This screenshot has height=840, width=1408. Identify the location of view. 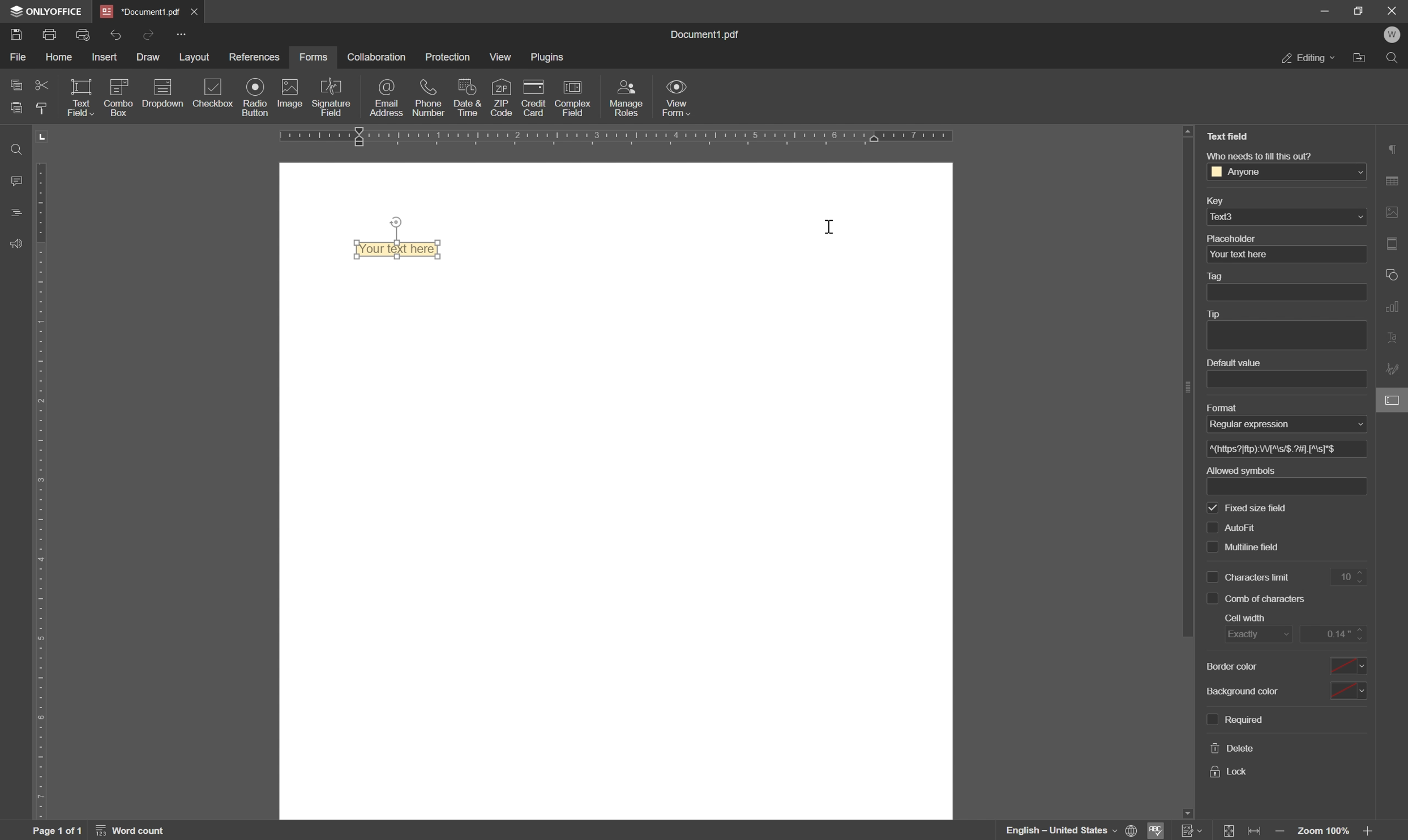
(500, 58).